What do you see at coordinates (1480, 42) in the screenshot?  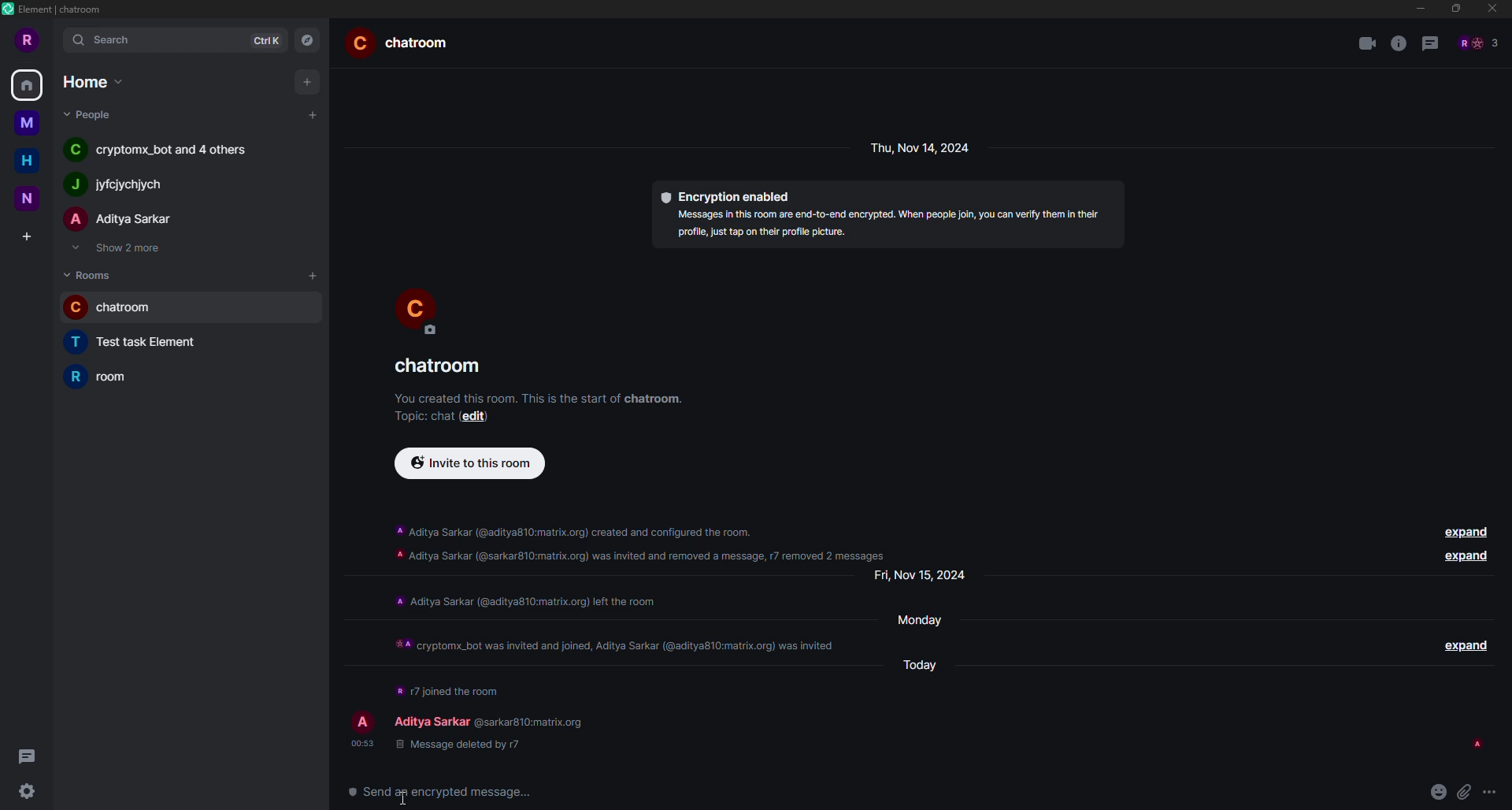 I see `people` at bounding box center [1480, 42].